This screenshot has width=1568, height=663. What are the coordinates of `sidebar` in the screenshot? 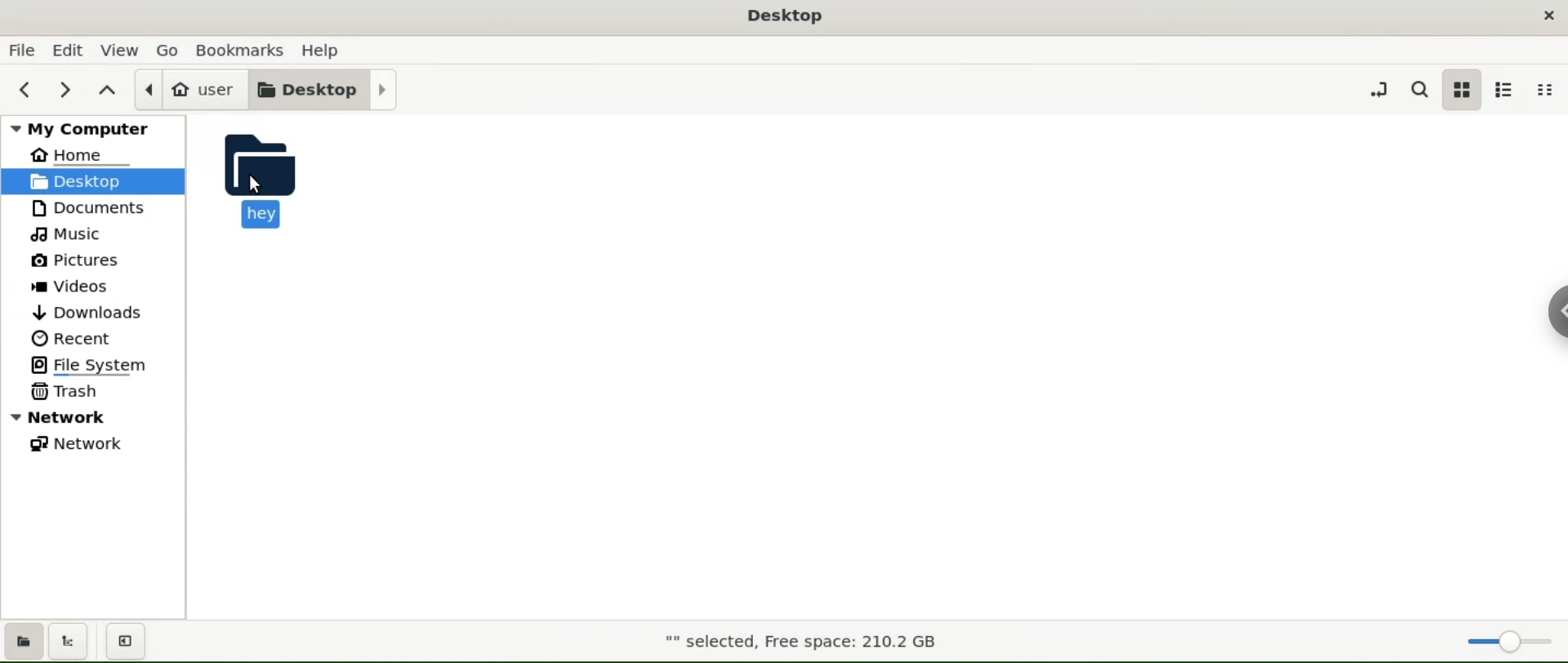 It's located at (1556, 309).